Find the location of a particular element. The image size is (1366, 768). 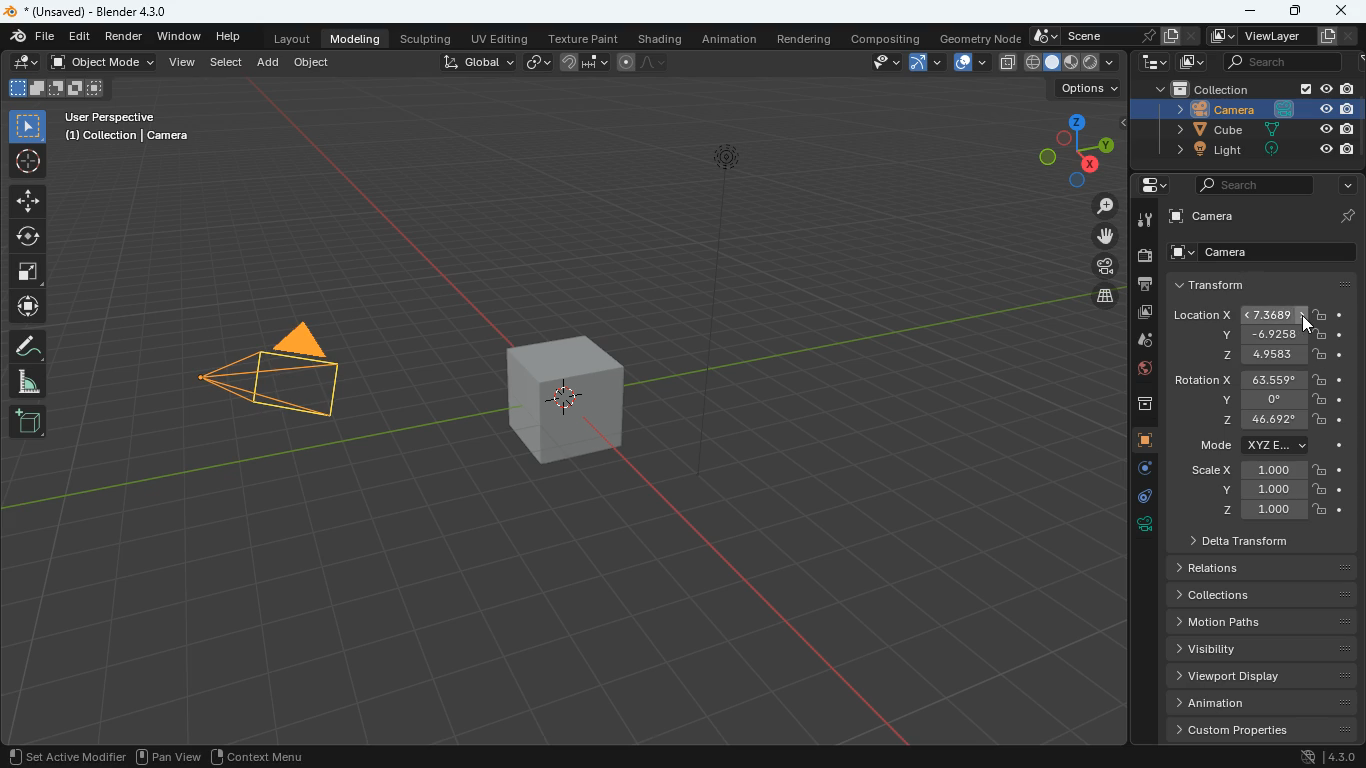

Collections is located at coordinates (1260, 595).